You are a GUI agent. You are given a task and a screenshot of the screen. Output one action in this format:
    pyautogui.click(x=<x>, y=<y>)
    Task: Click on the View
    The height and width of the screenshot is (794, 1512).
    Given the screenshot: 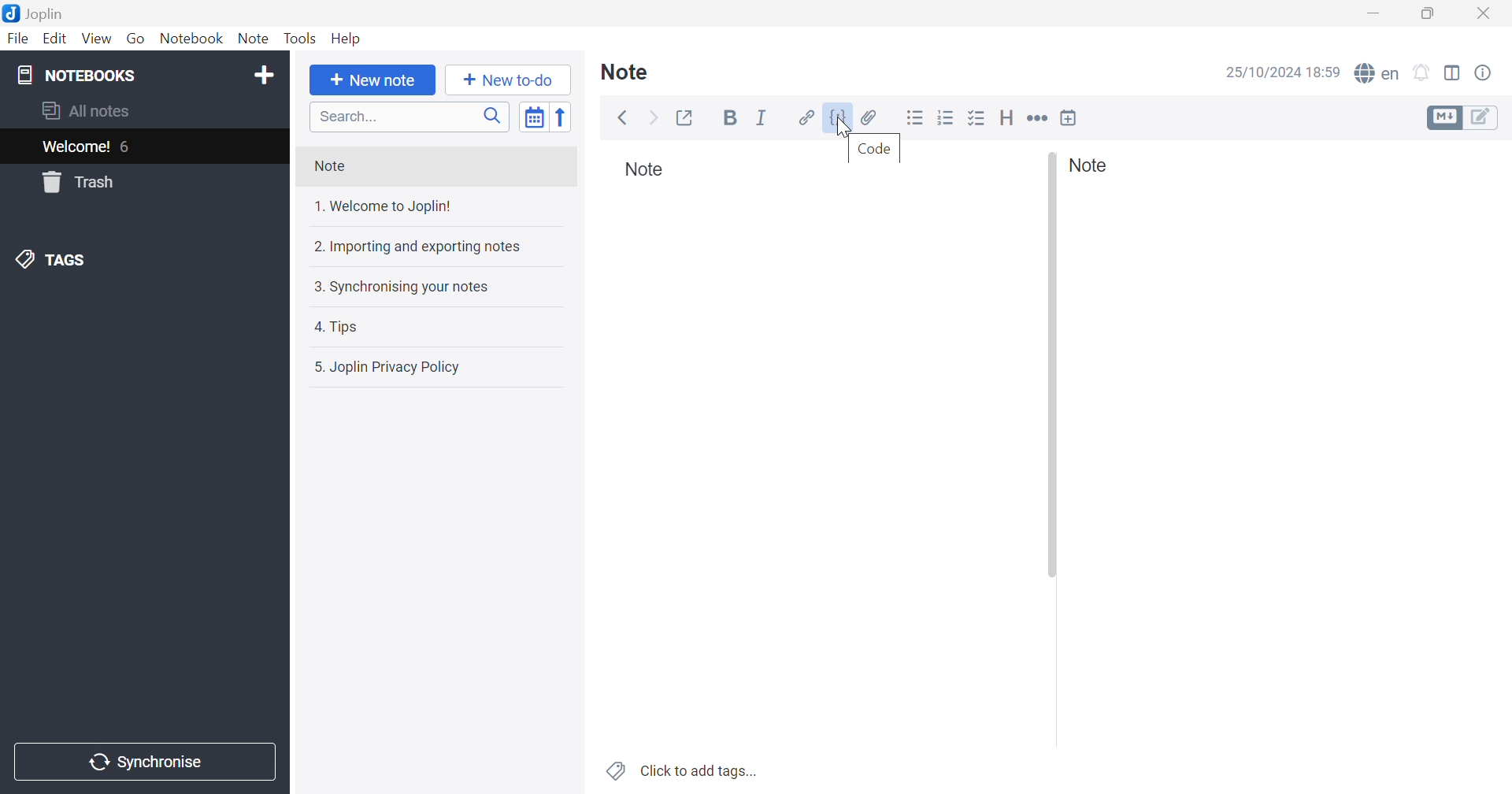 What is the action you would take?
    pyautogui.click(x=94, y=38)
    